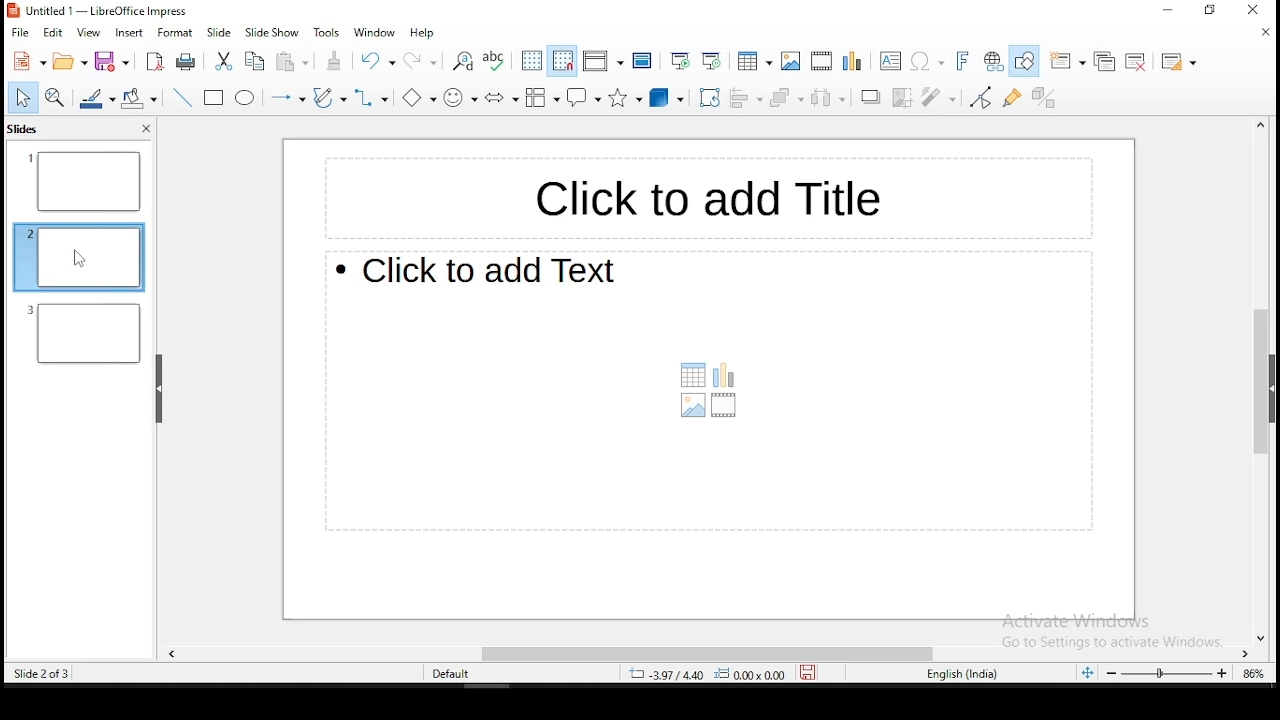 This screenshot has width=1280, height=720. I want to click on rotate, so click(709, 99).